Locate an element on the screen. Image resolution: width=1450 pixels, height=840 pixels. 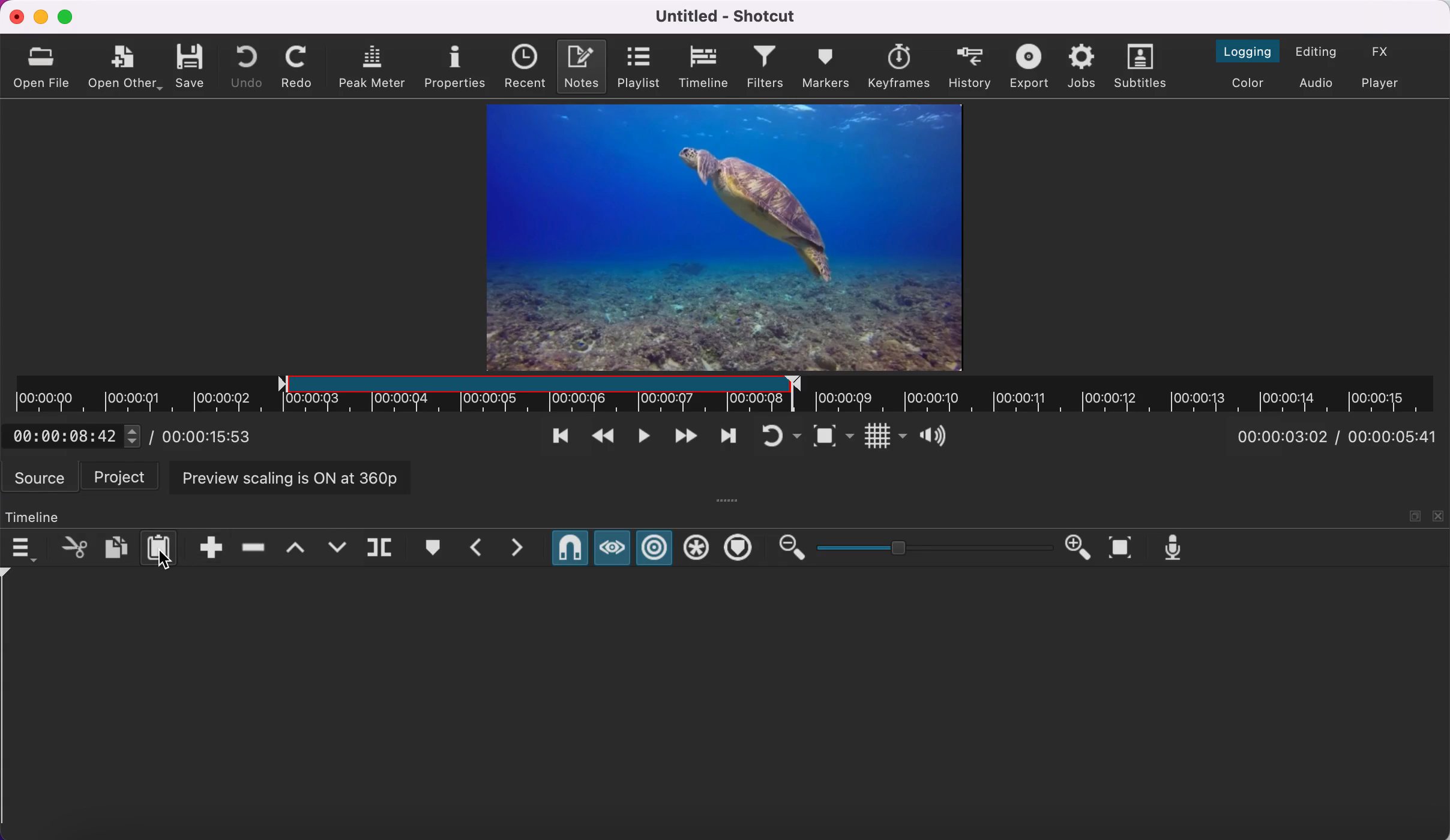
maximize is located at coordinates (69, 17).